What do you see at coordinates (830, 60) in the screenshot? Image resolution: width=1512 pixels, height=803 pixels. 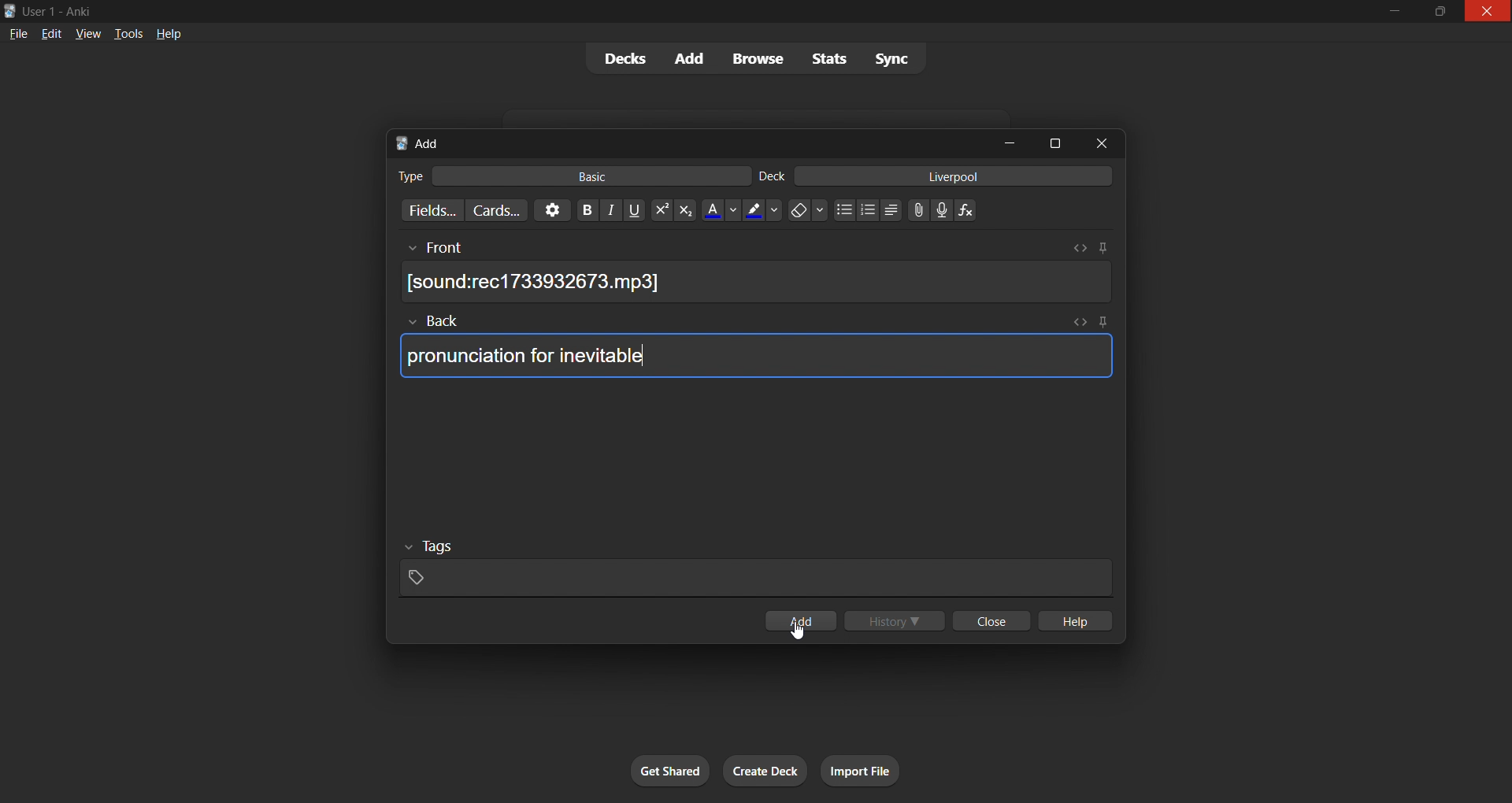 I see `stats` at bounding box center [830, 60].